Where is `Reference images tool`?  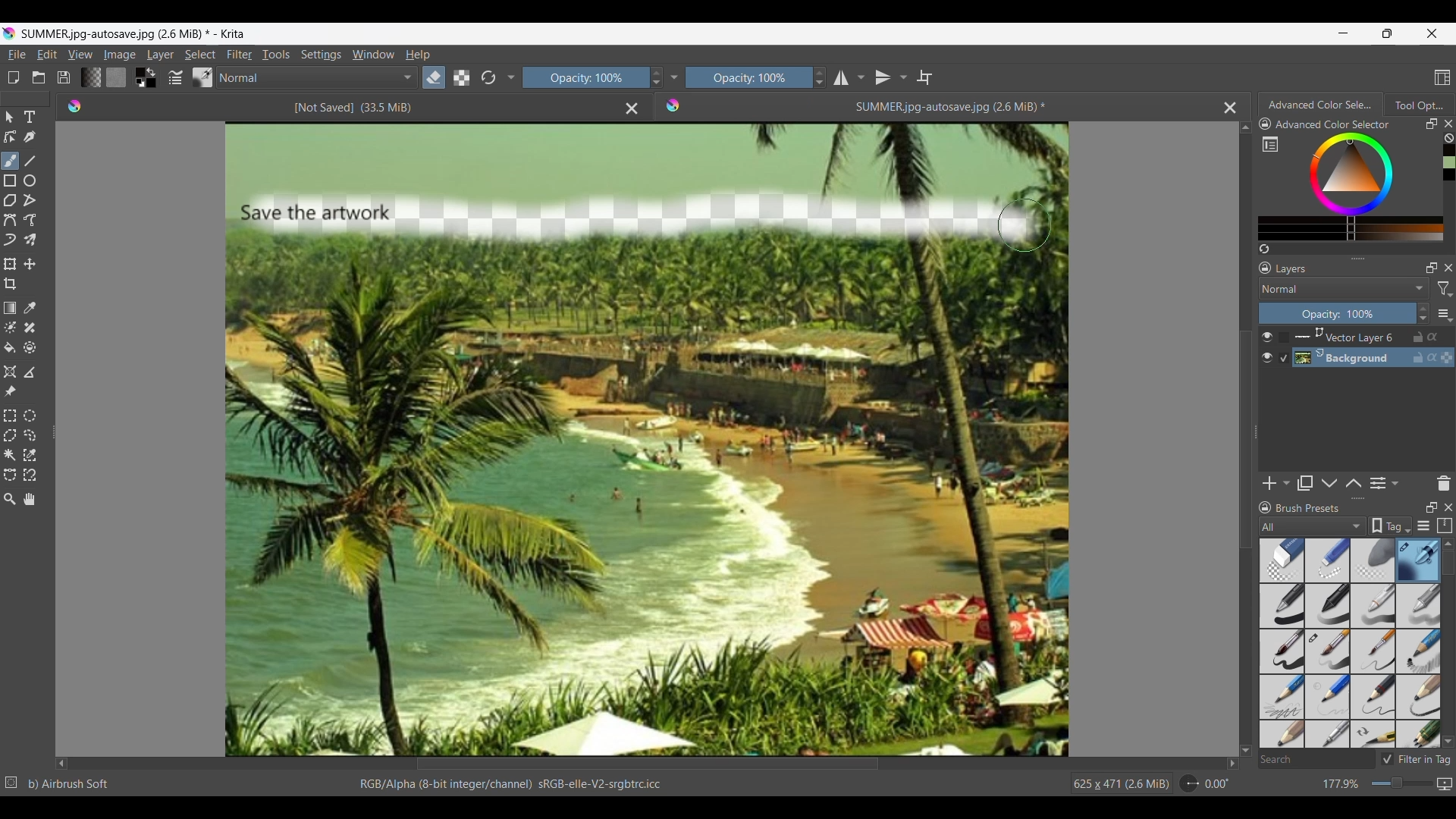 Reference images tool is located at coordinates (10, 392).